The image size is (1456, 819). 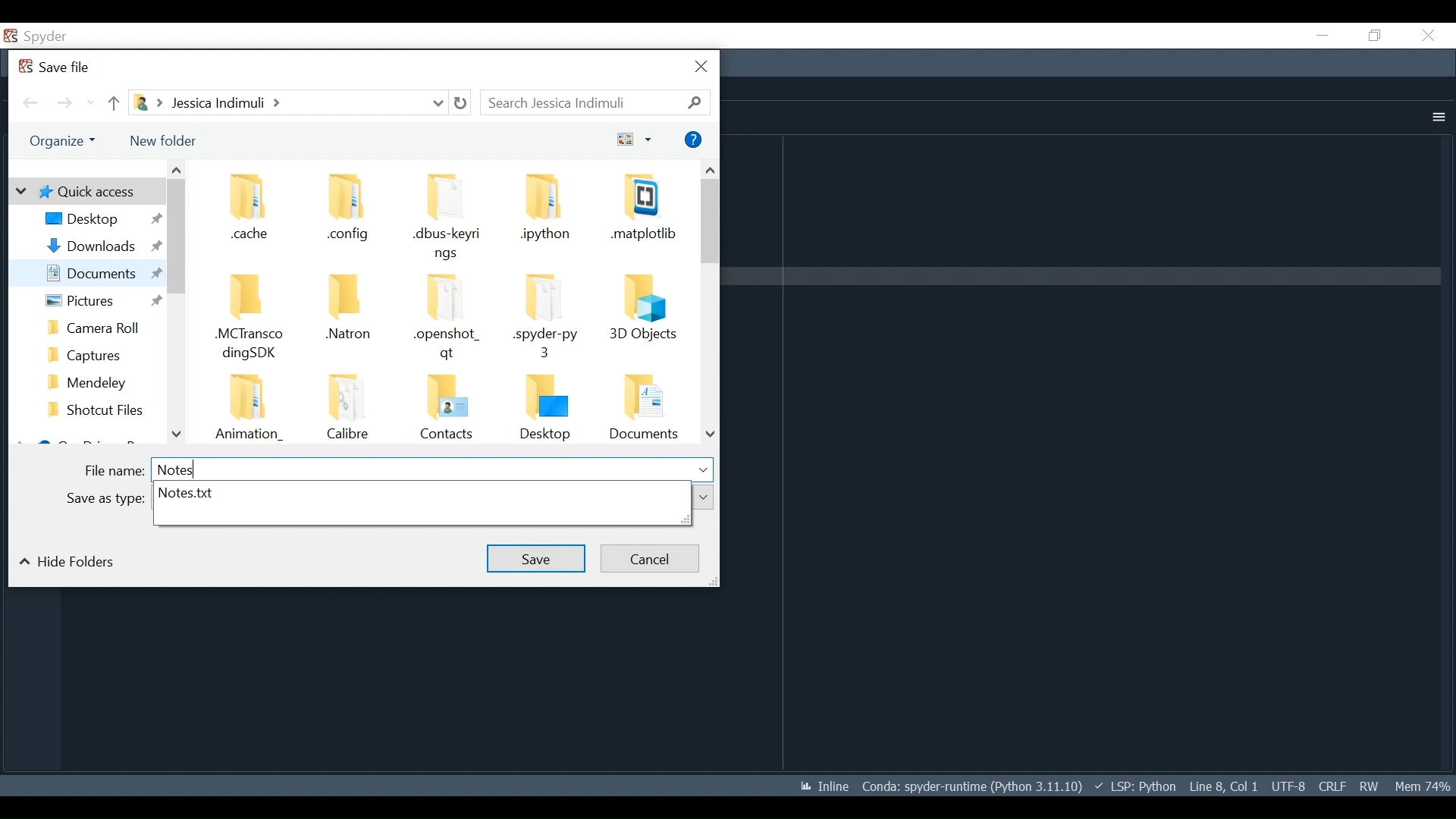 What do you see at coordinates (709, 169) in the screenshot?
I see `Scroll up` at bounding box center [709, 169].